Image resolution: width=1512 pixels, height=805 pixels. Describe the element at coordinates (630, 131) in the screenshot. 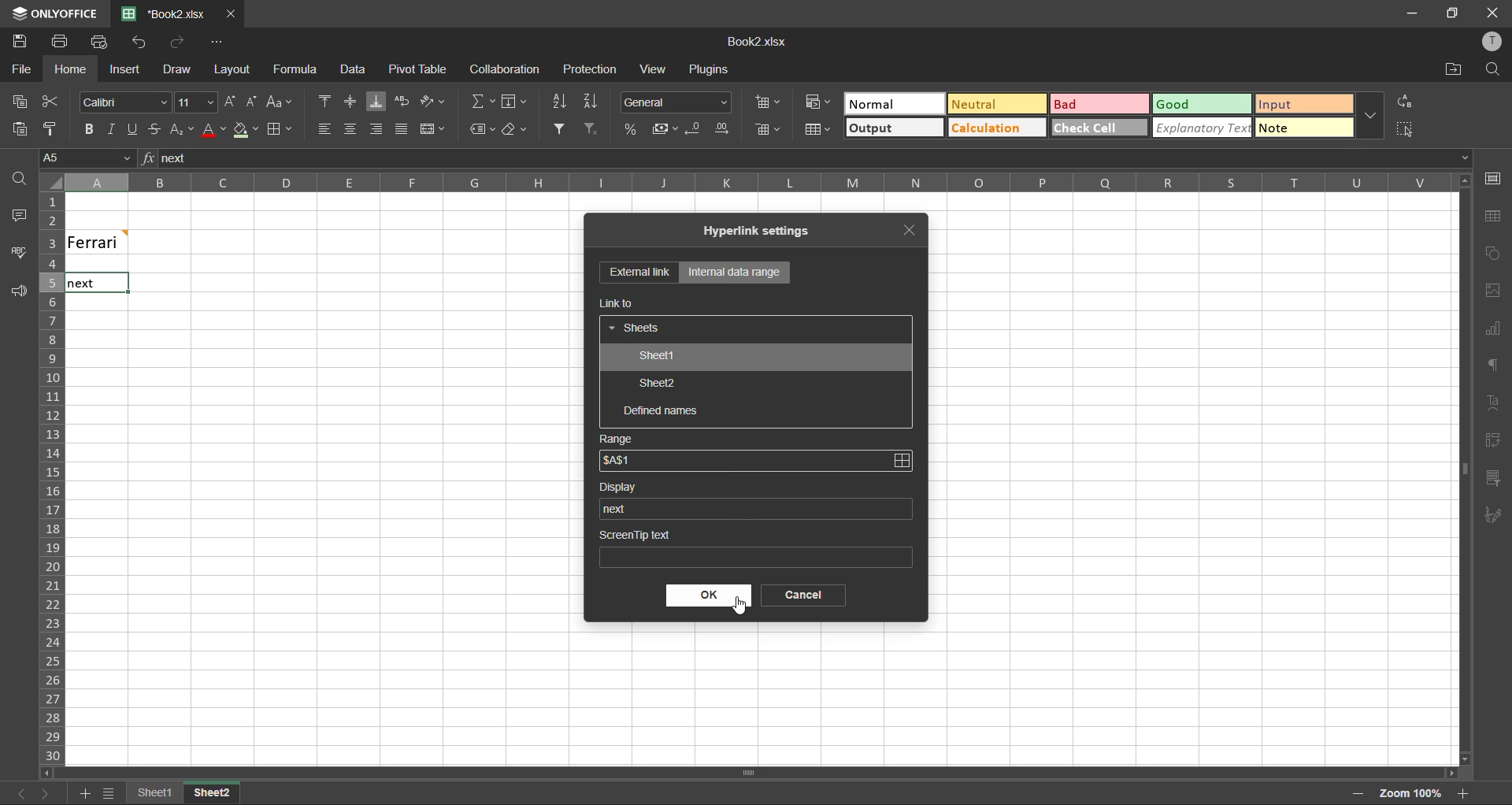

I see `percent` at that location.